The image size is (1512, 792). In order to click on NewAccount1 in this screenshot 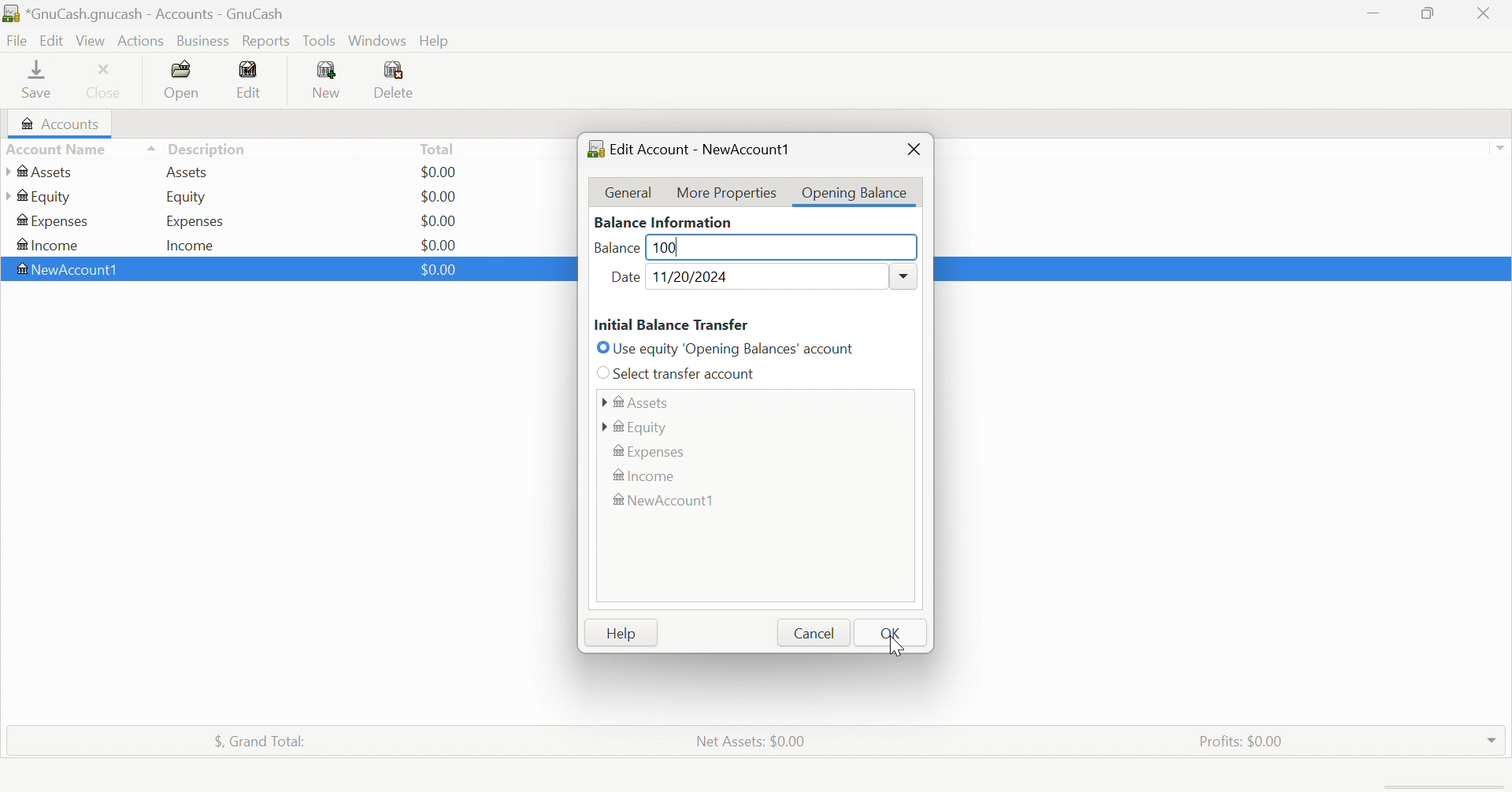, I will do `click(72, 269)`.